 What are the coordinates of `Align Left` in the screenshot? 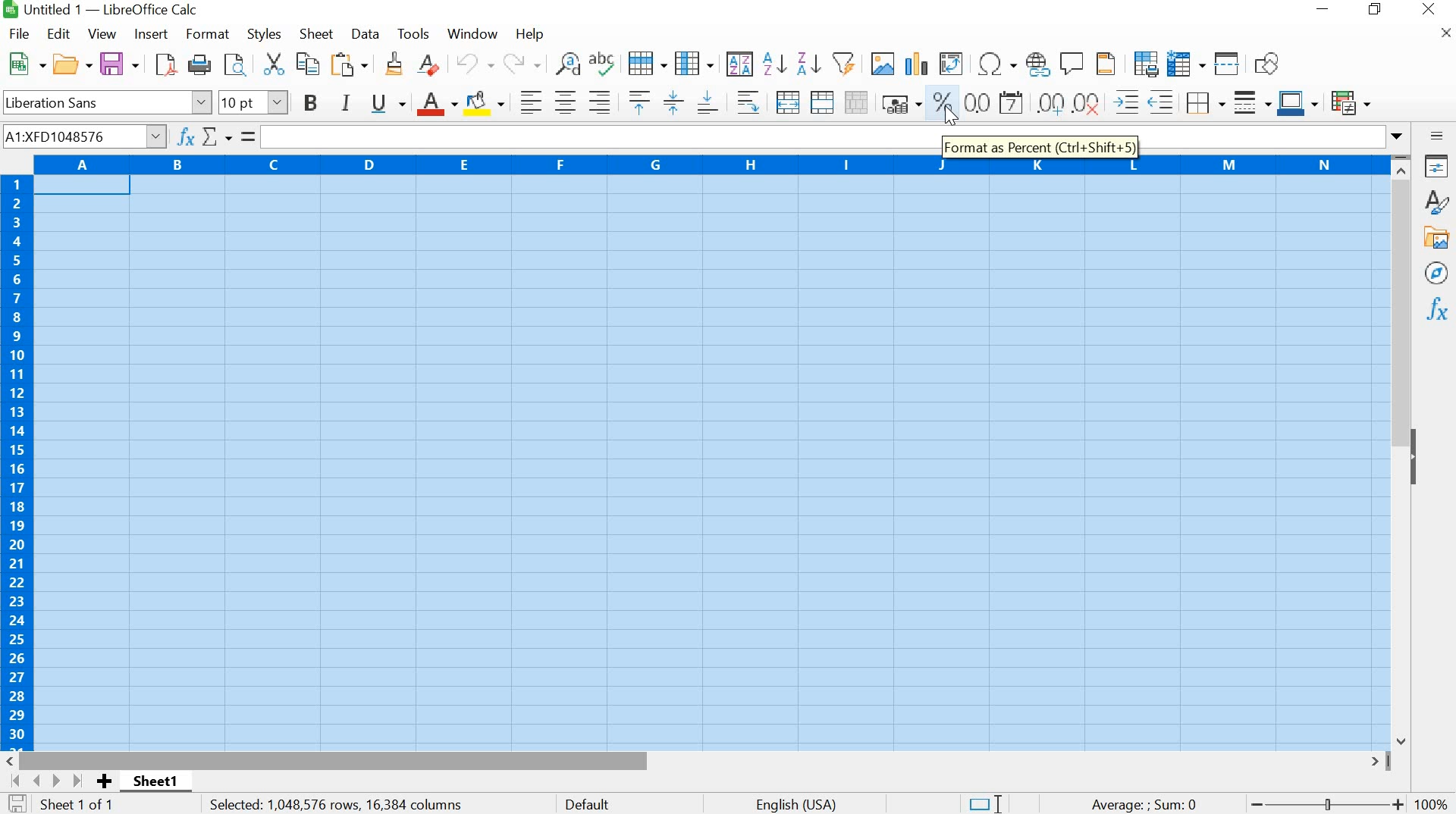 It's located at (529, 100).